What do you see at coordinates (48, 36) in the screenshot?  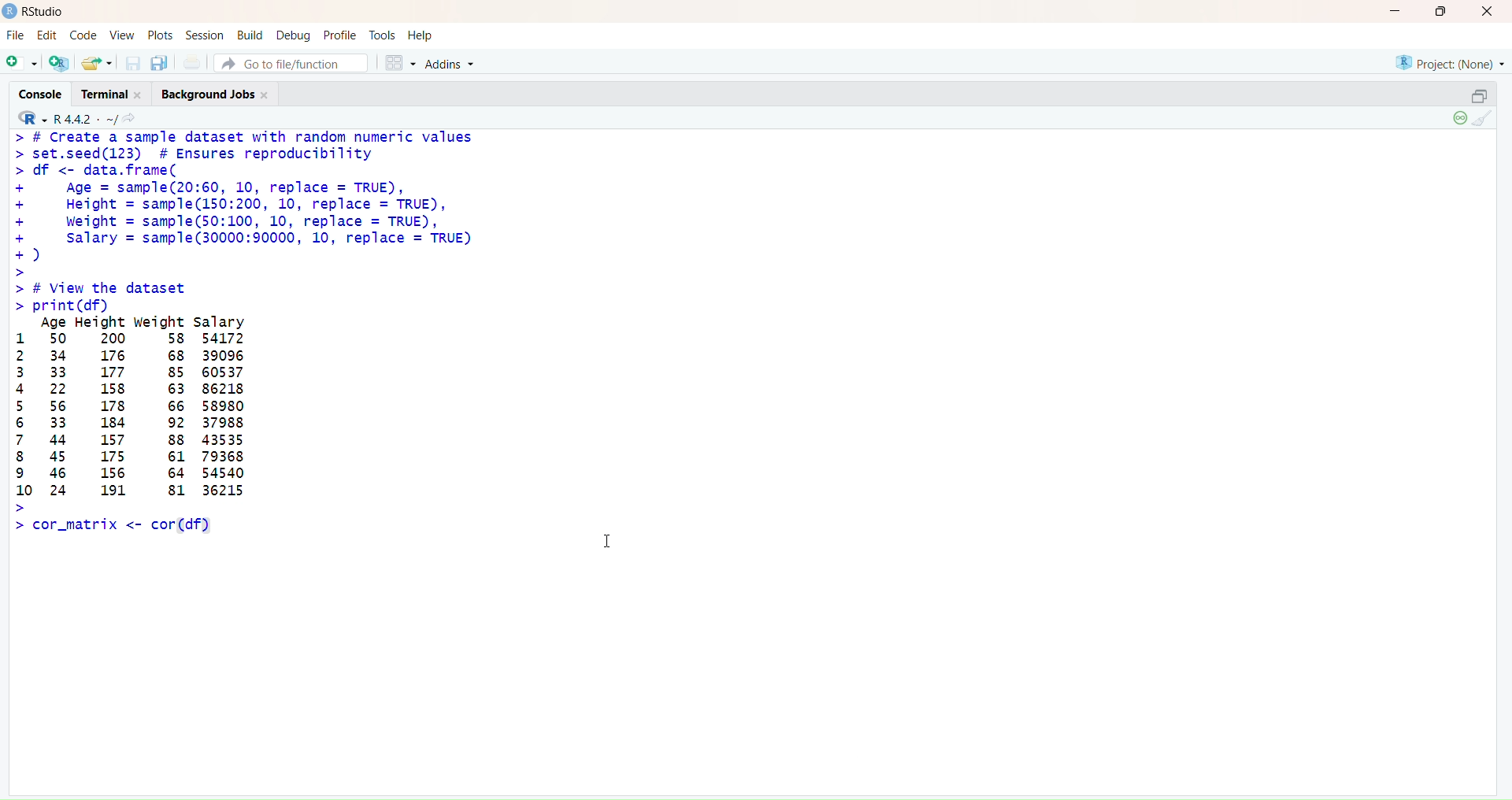 I see `Edit` at bounding box center [48, 36].